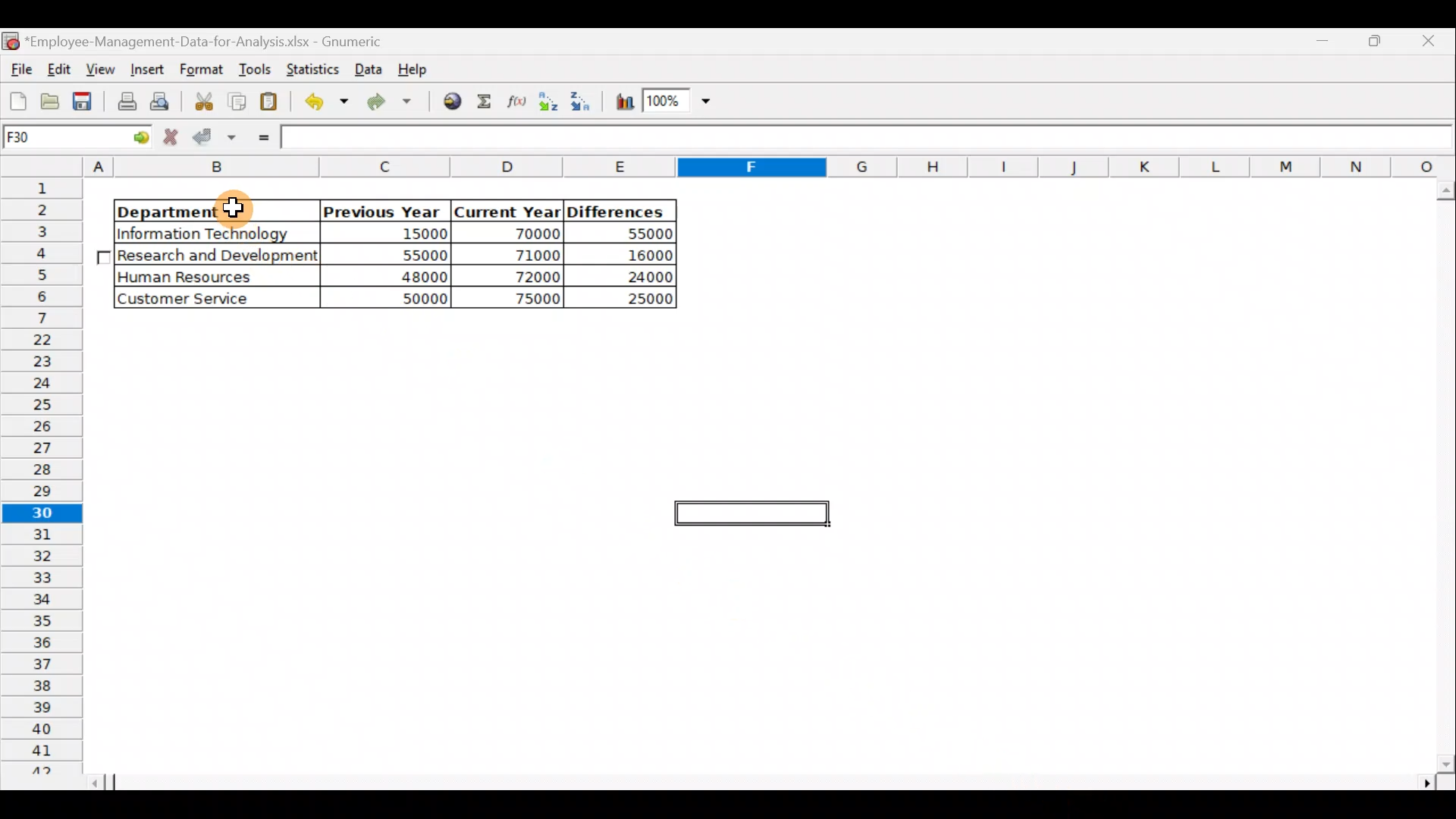  I want to click on |Information Technology, so click(215, 233).